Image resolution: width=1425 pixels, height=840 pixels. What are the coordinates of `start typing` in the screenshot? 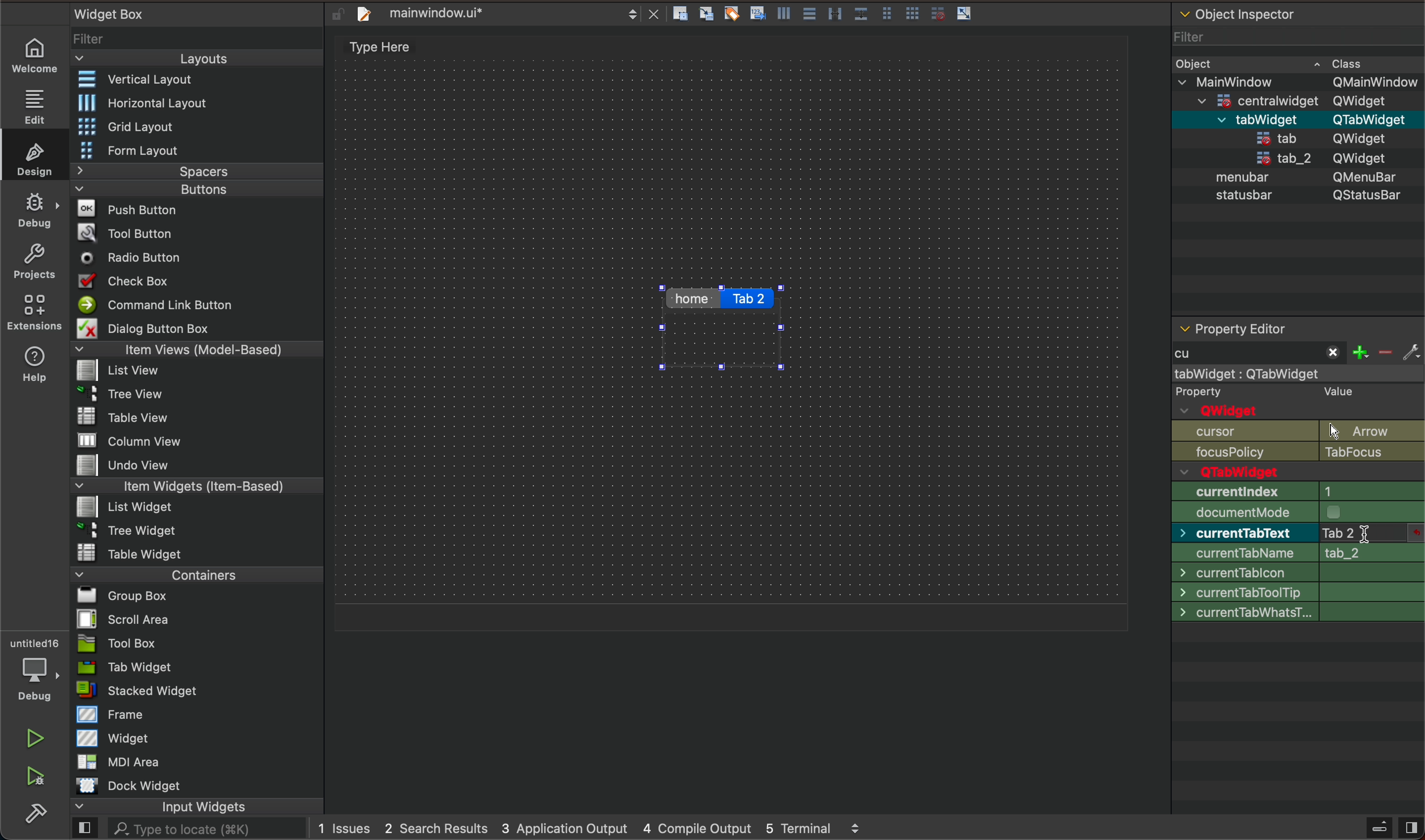 It's located at (1264, 355).